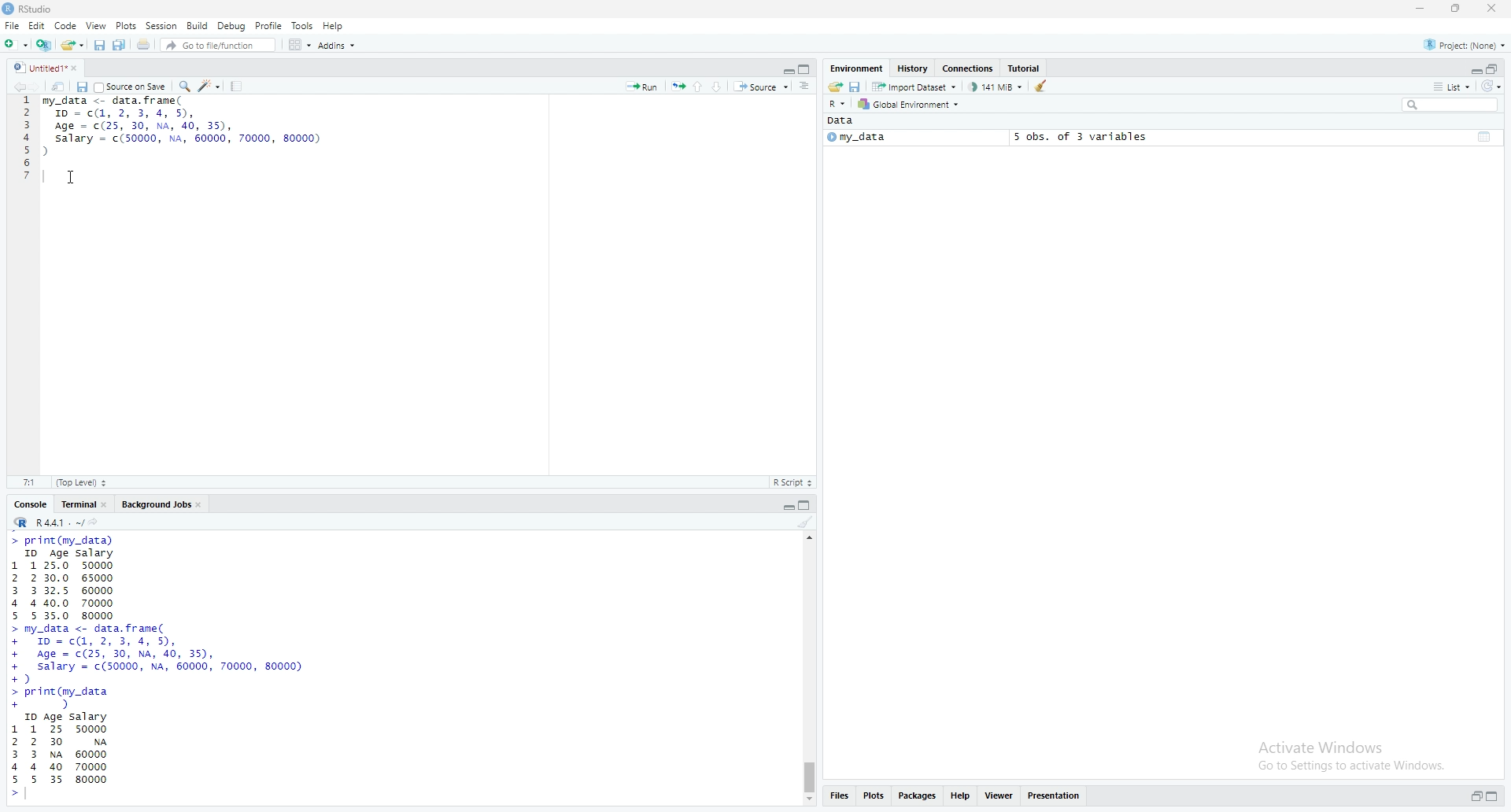 This screenshot has height=812, width=1511. What do you see at coordinates (161, 667) in the screenshot?
I see `data frame set` at bounding box center [161, 667].